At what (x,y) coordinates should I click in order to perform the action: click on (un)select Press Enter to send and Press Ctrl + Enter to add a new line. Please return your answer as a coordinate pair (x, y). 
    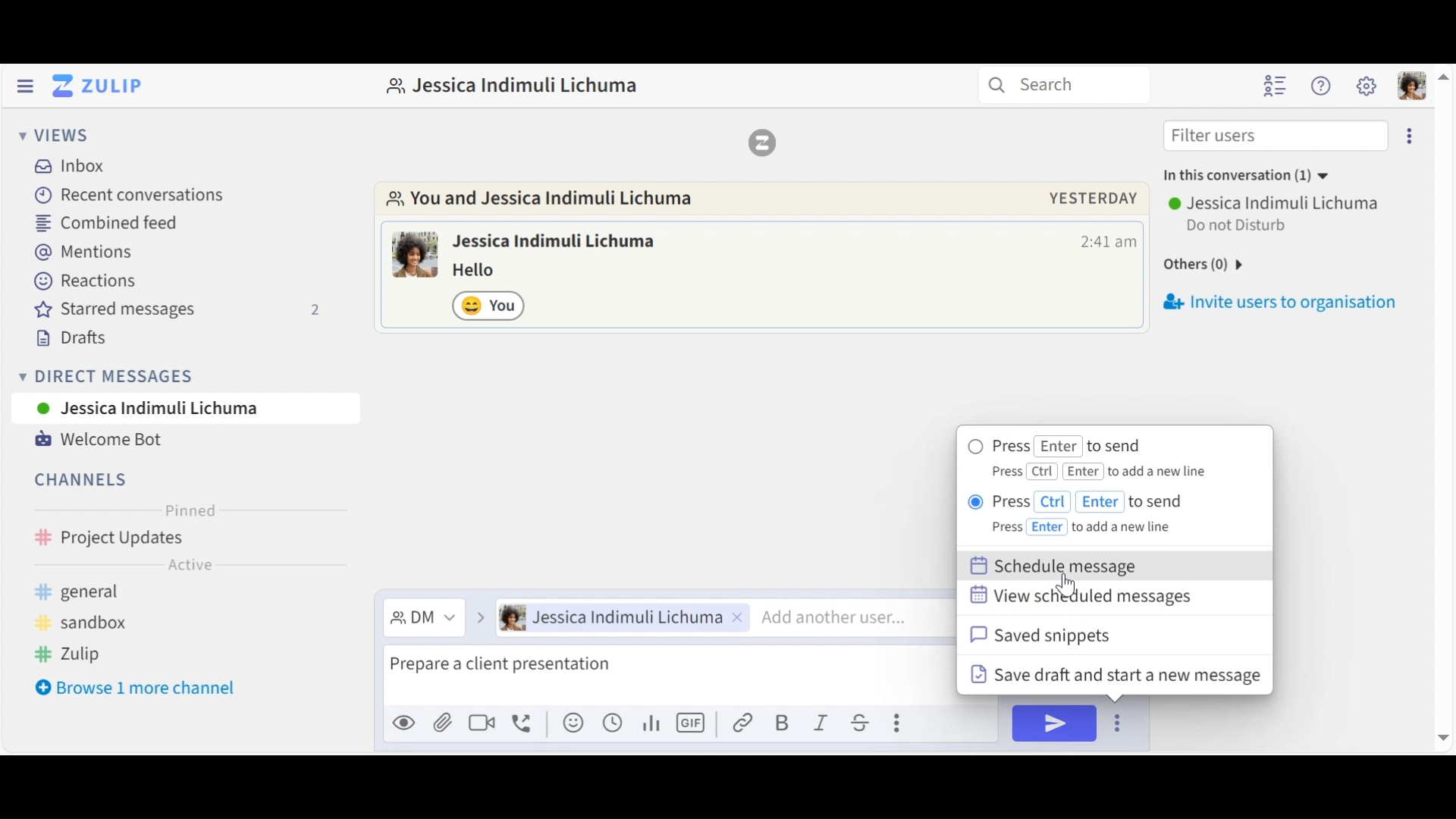
    Looking at the image, I should click on (1095, 459).